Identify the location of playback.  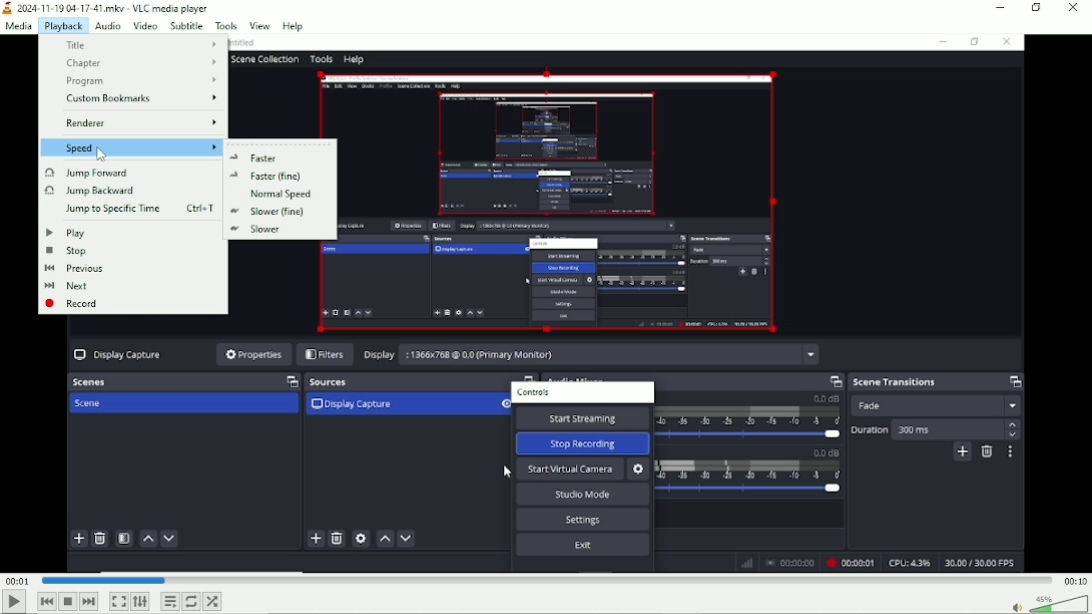
(63, 25).